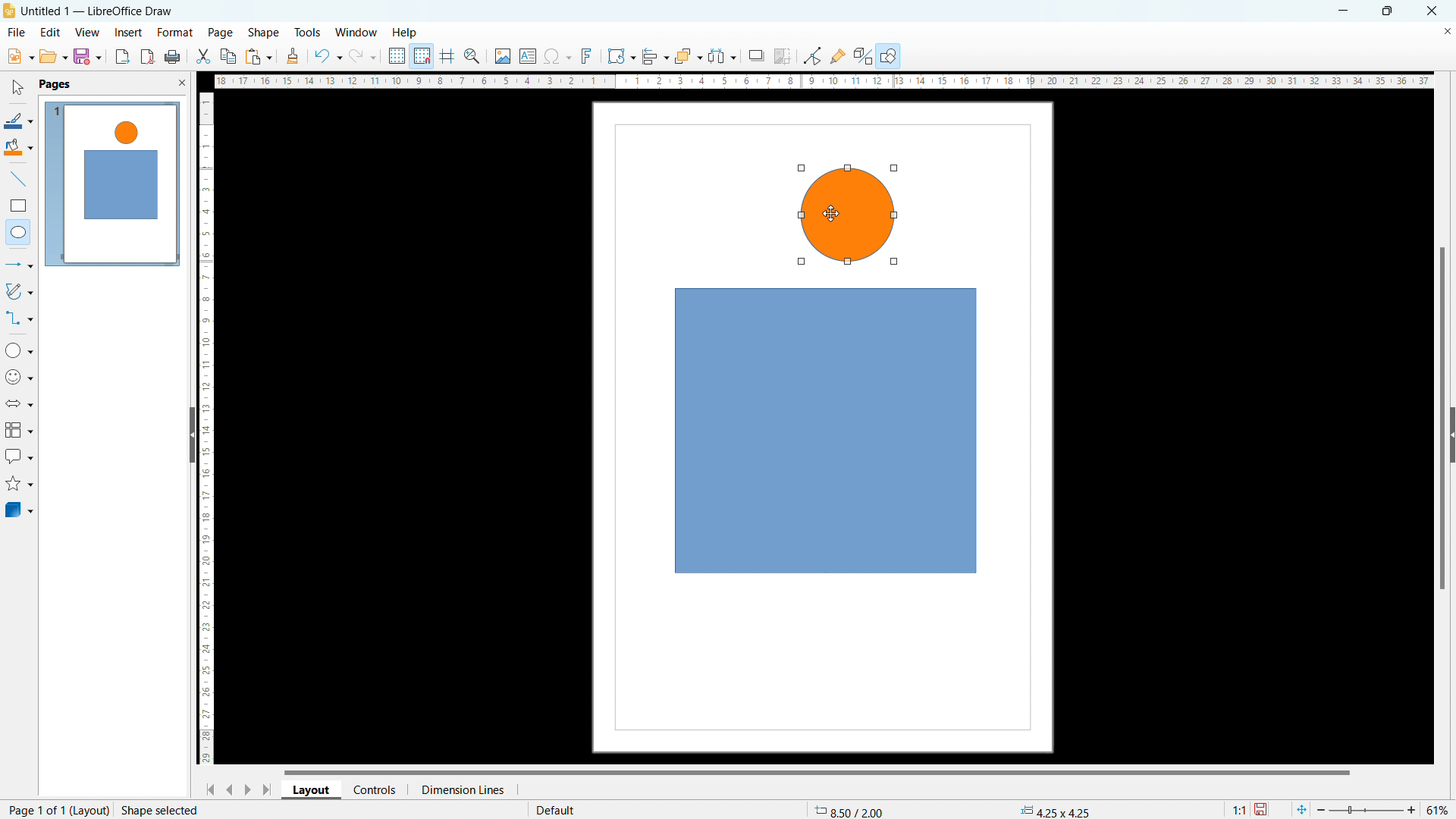  Describe the element at coordinates (472, 58) in the screenshot. I see `zoom and pan` at that location.